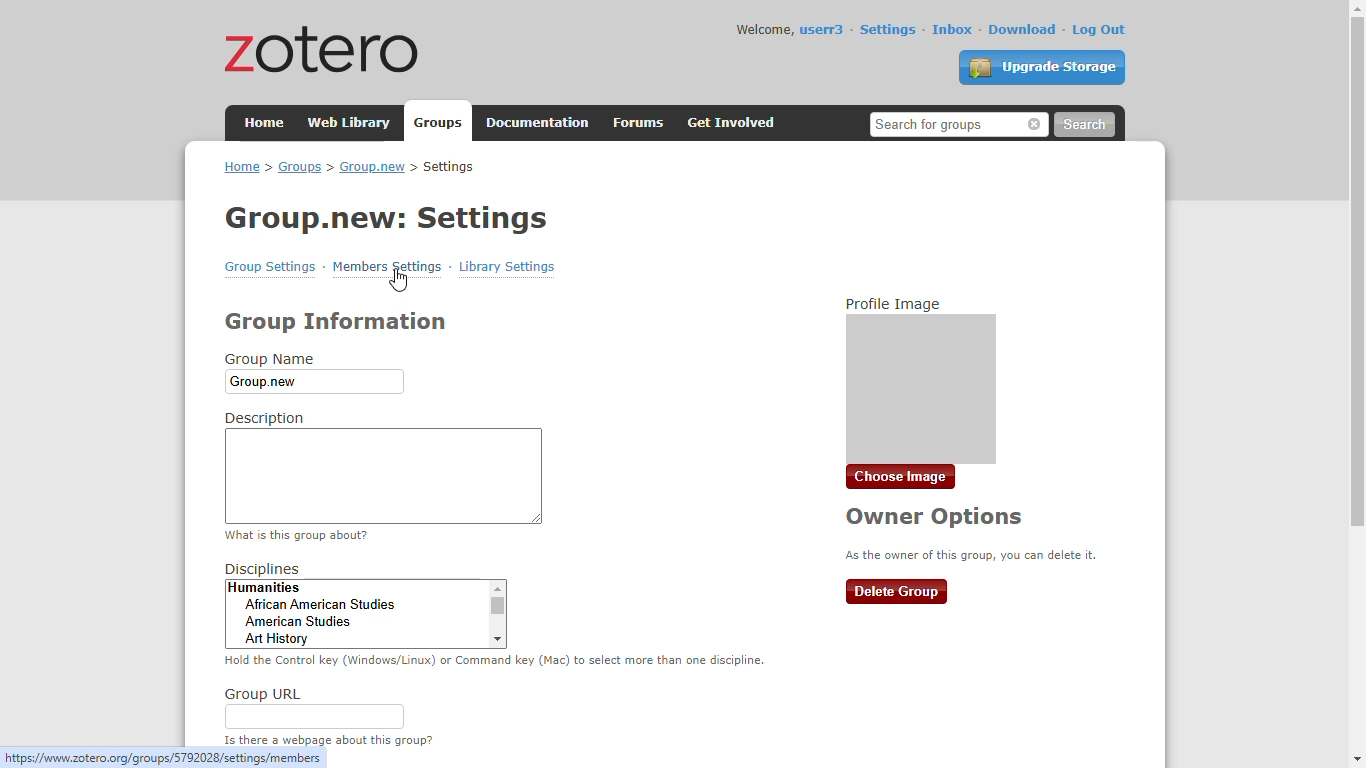 The height and width of the screenshot is (768, 1366). What do you see at coordinates (270, 359) in the screenshot?
I see `group name` at bounding box center [270, 359].